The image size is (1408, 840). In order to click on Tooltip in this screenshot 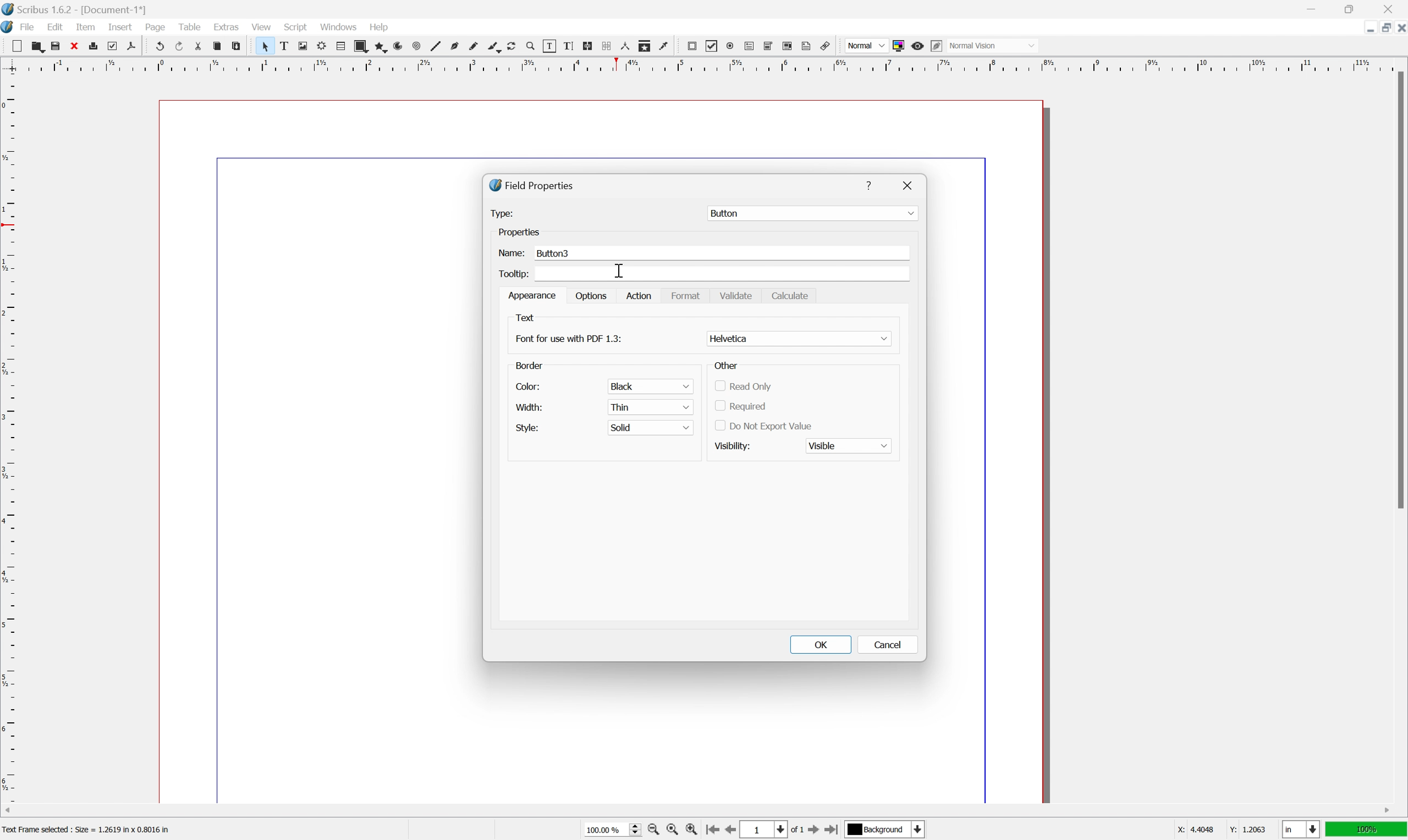, I will do `click(513, 272)`.